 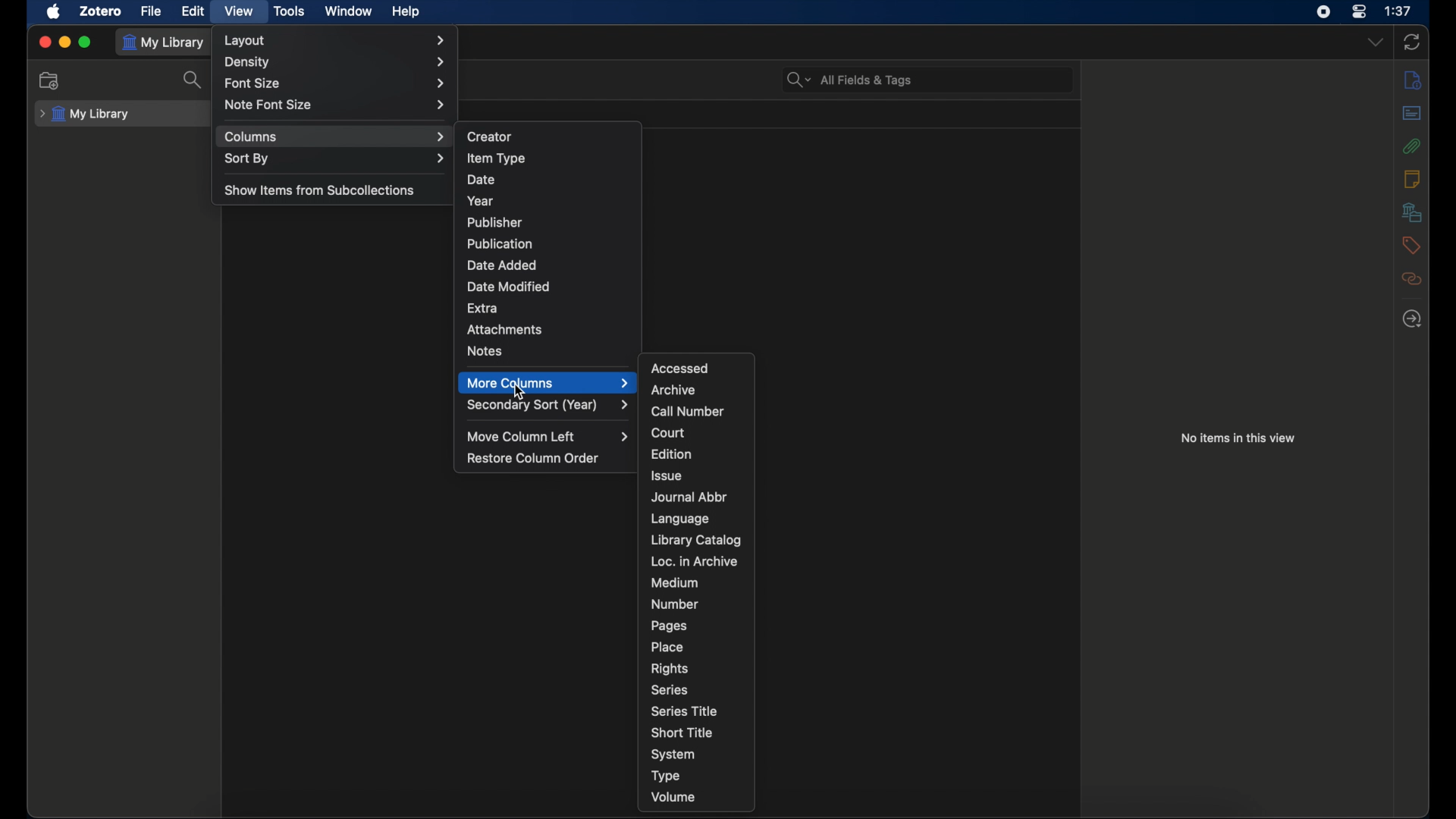 I want to click on layout, so click(x=335, y=40).